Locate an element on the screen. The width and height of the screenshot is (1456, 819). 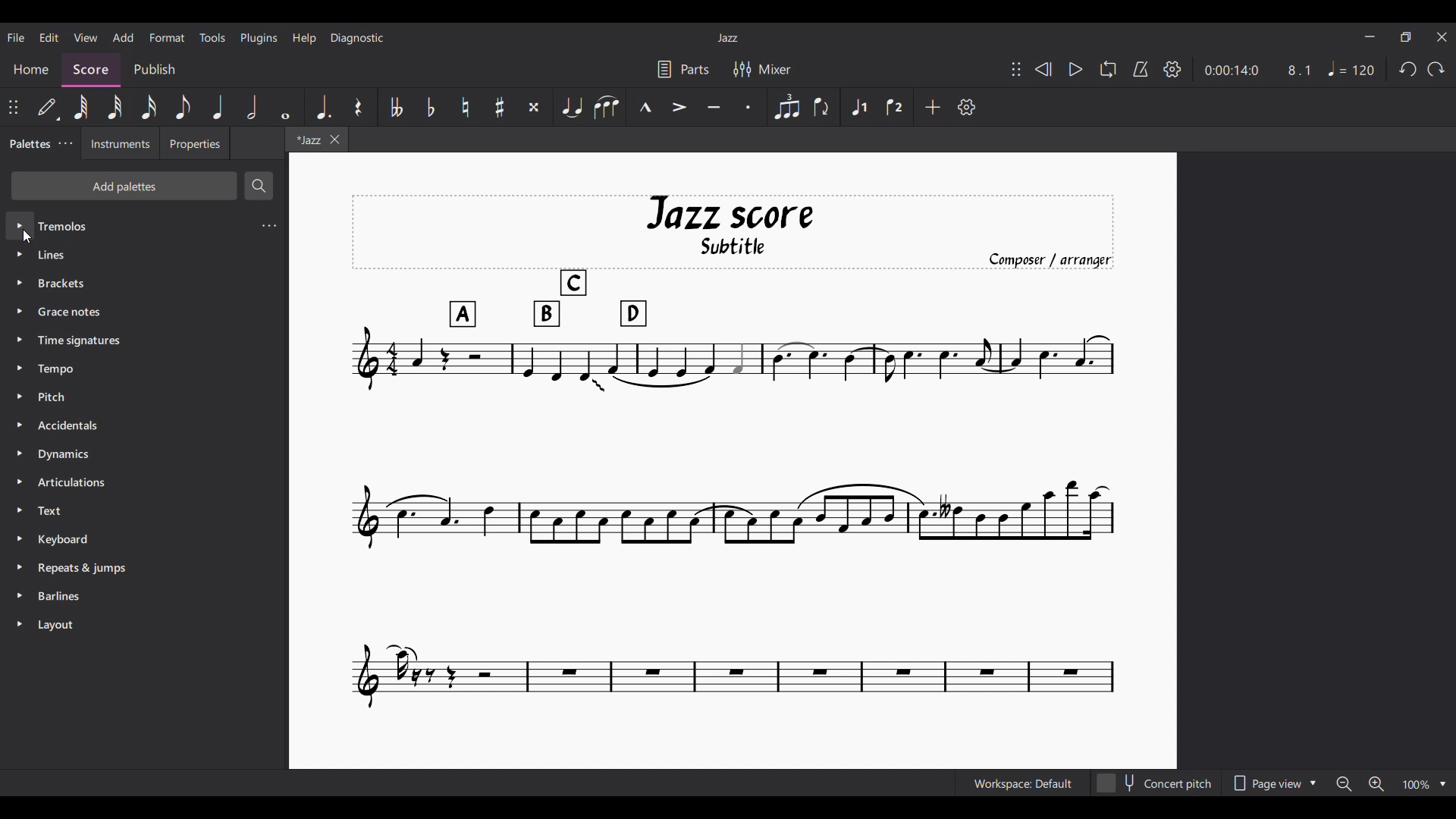
Marcato is located at coordinates (645, 107).